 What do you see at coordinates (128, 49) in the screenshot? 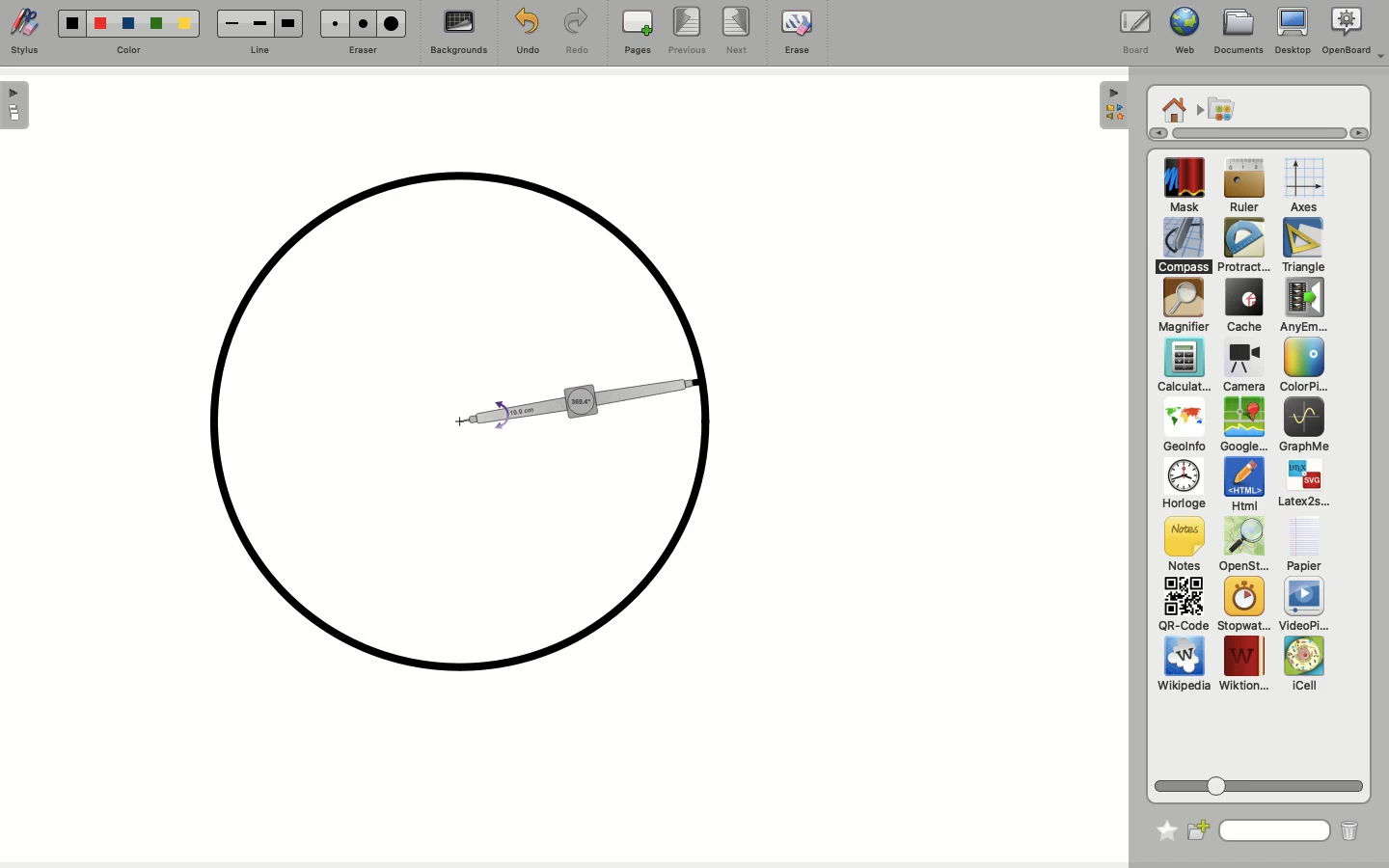
I see `color` at bounding box center [128, 49].